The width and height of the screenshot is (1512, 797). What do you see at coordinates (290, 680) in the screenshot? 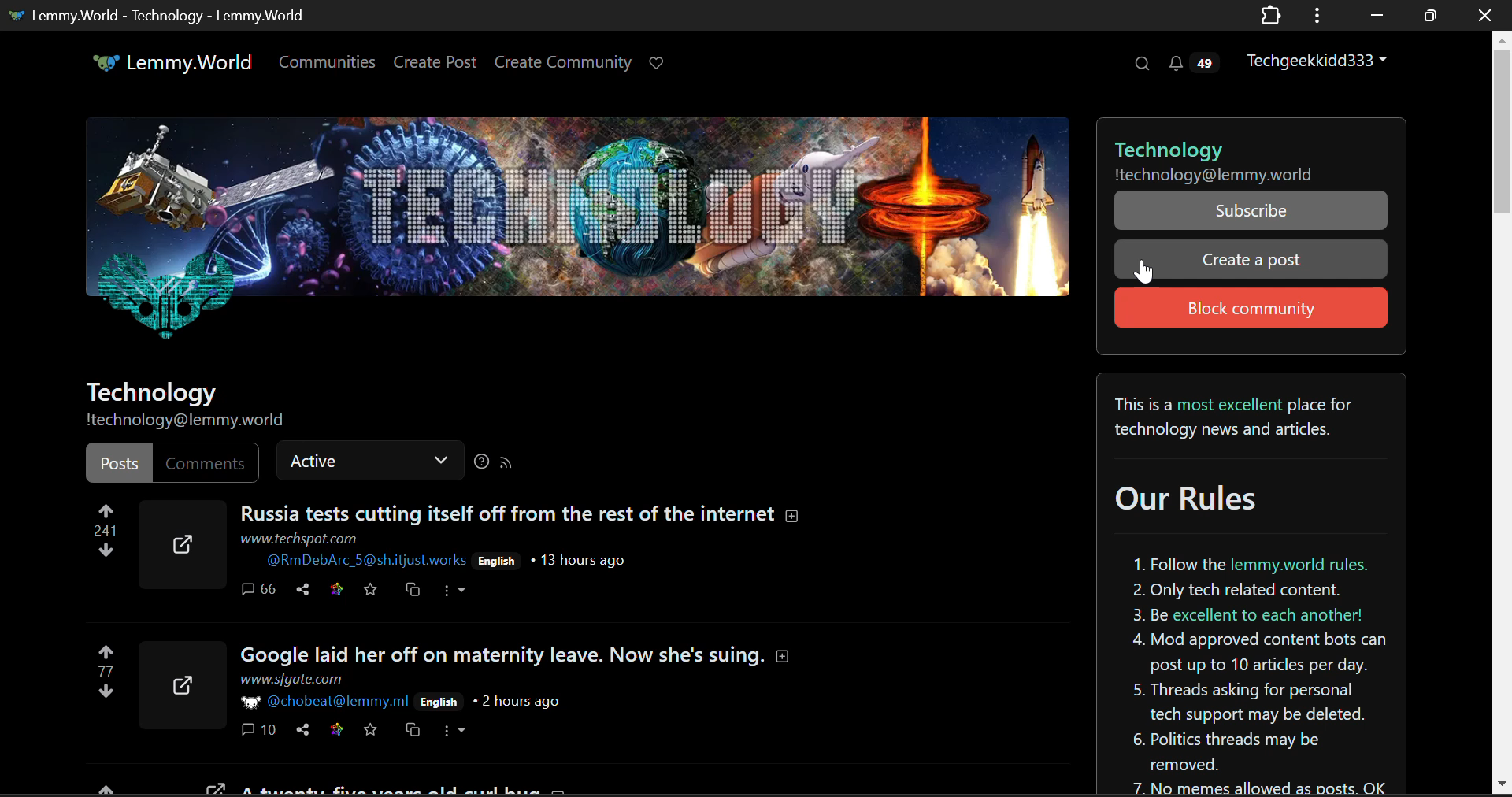
I see `www.sfgate.com` at bounding box center [290, 680].